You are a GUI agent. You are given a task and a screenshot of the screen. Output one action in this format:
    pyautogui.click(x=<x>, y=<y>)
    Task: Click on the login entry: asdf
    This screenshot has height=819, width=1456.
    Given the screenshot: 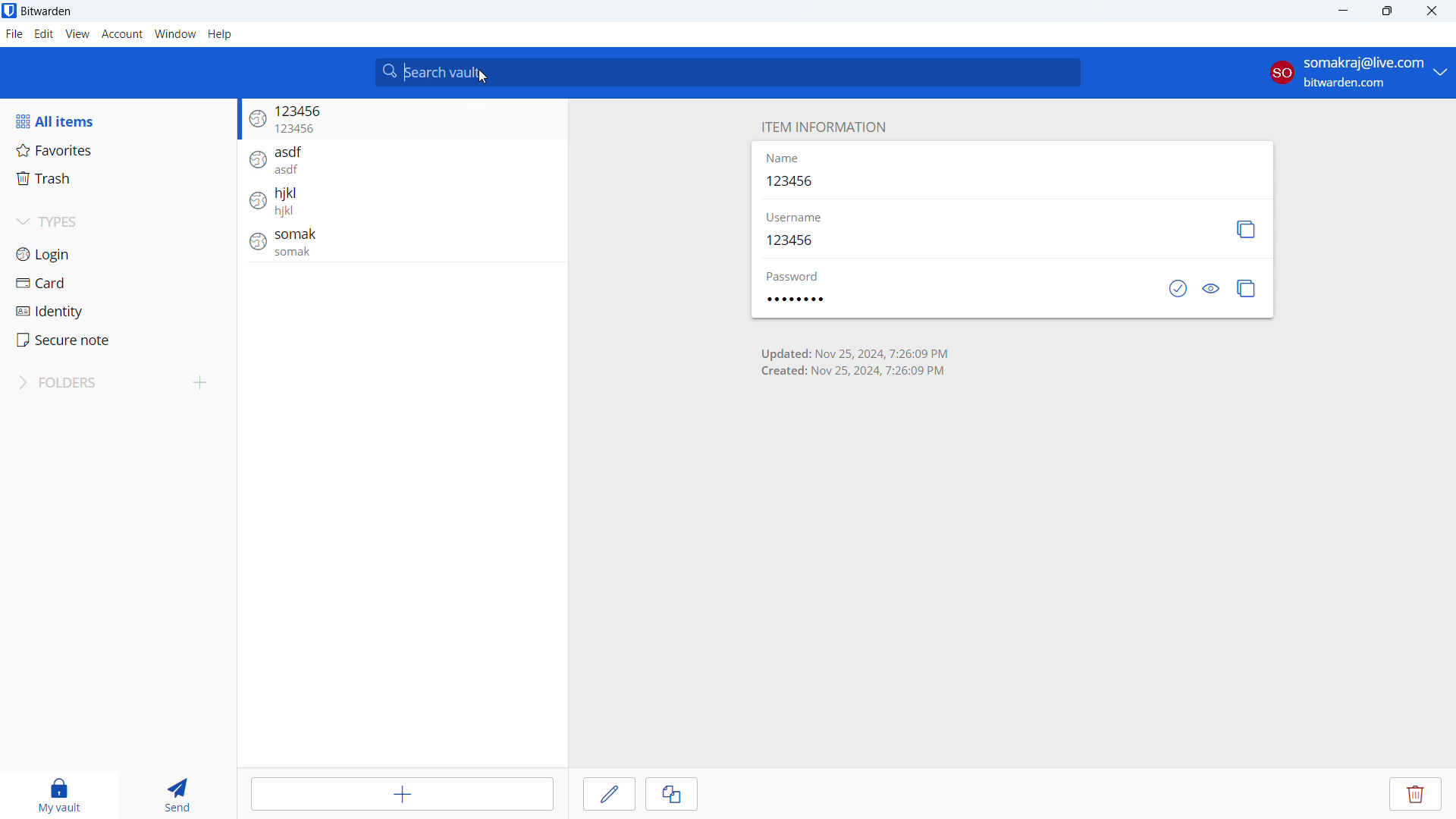 What is the action you would take?
    pyautogui.click(x=398, y=160)
    